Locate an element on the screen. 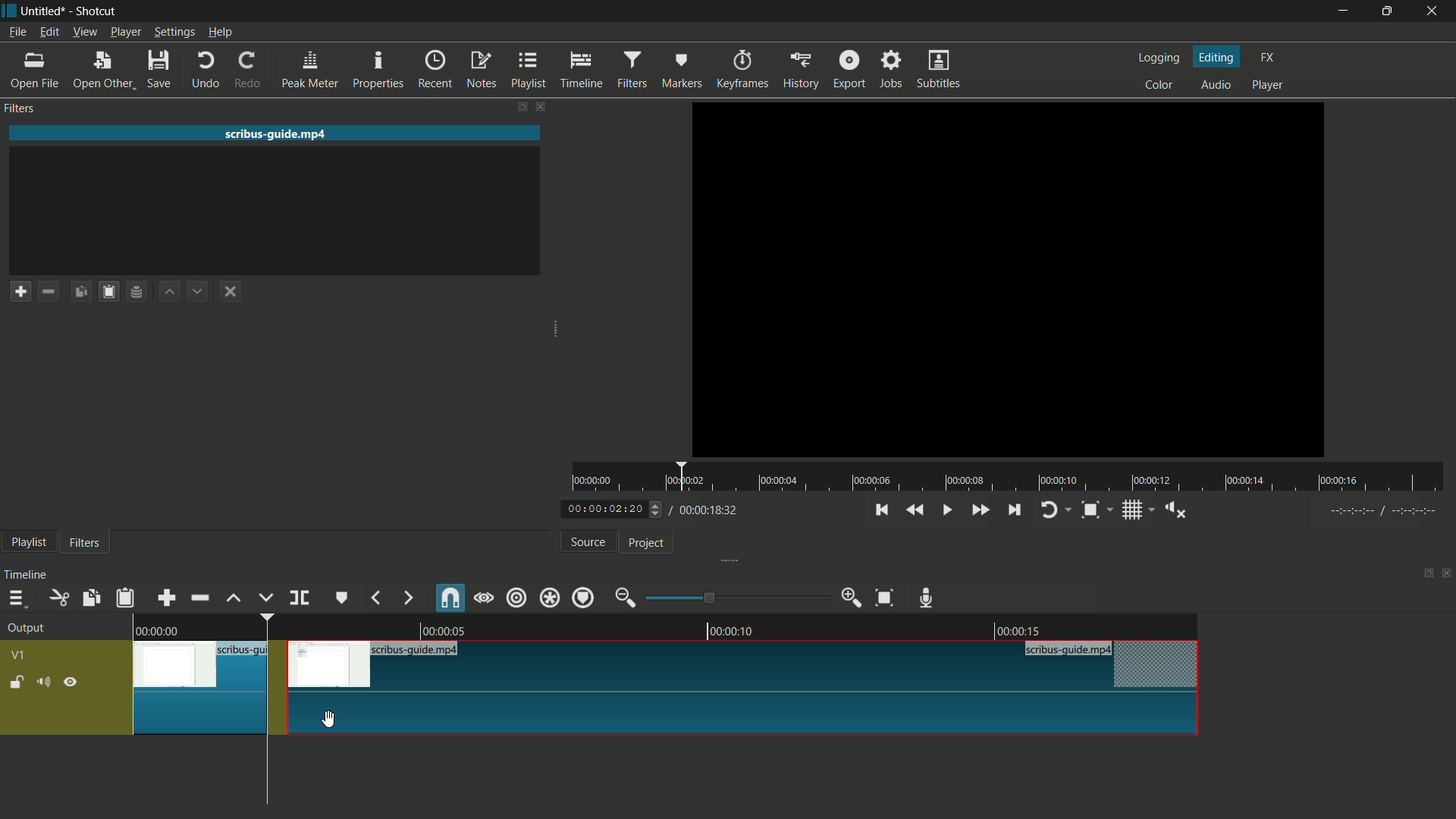  cut is located at coordinates (58, 598).